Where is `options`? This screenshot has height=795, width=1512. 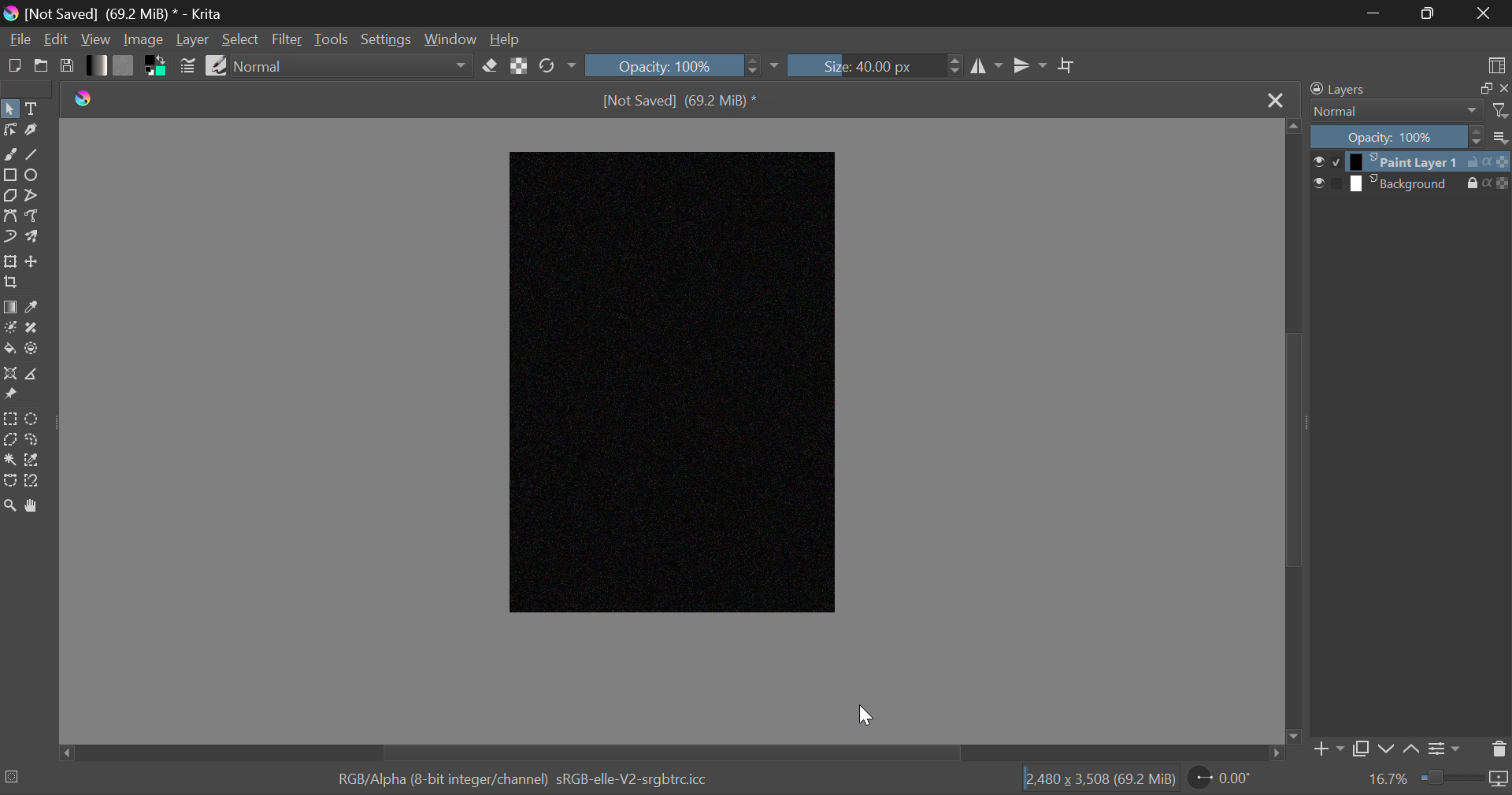
options is located at coordinates (1501, 135).